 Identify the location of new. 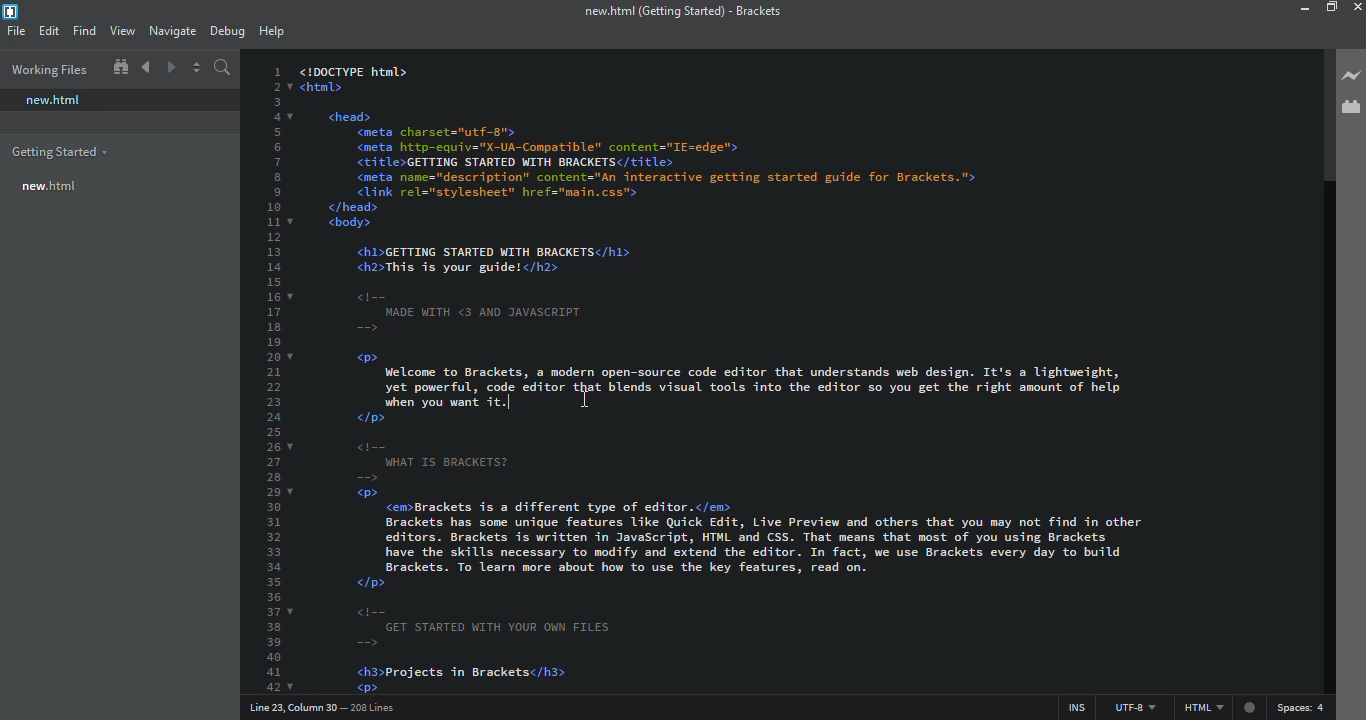
(51, 99).